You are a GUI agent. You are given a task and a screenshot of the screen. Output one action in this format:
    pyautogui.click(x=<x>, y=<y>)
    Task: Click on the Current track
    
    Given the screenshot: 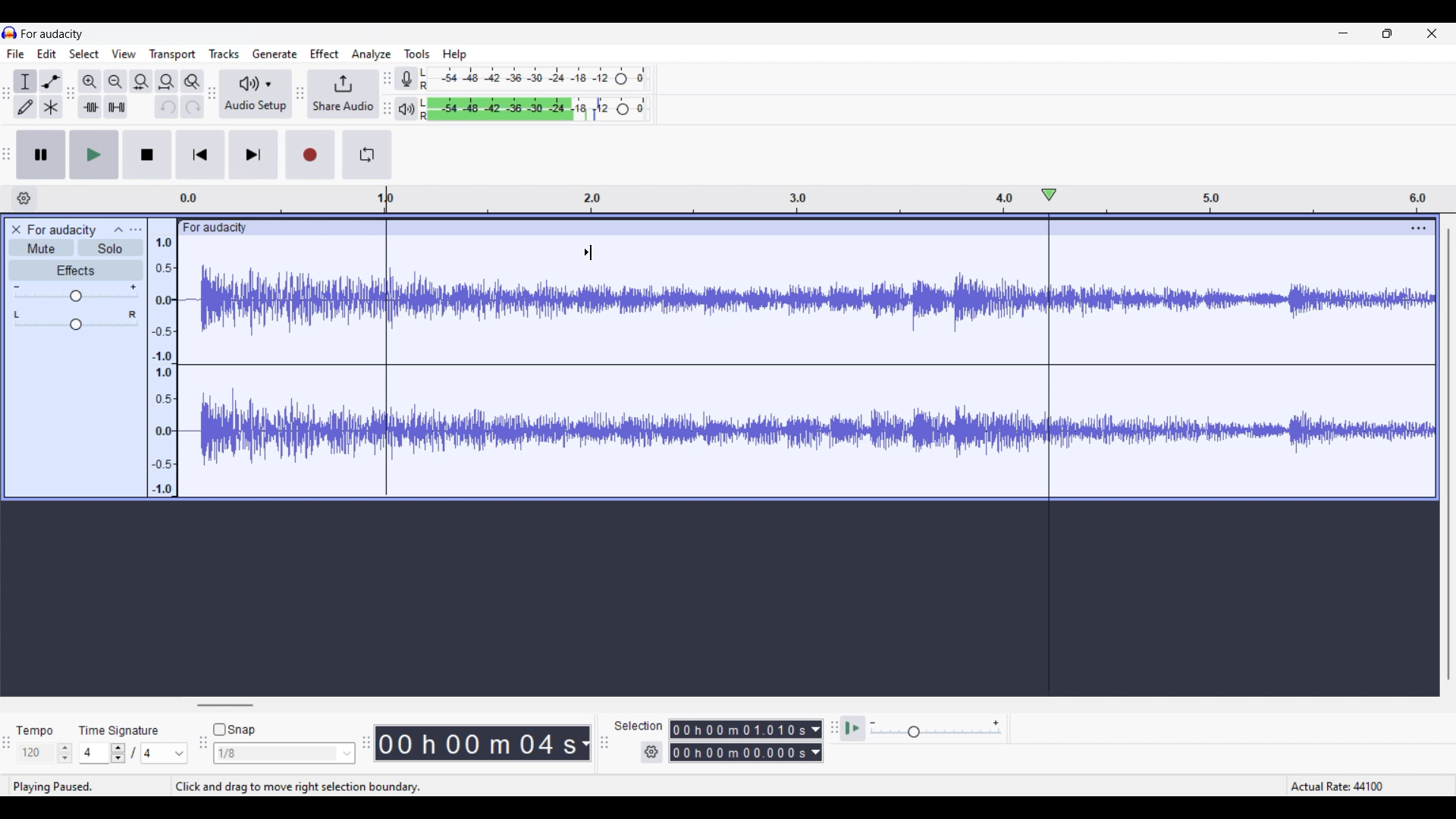 What is the action you would take?
    pyautogui.click(x=279, y=359)
    